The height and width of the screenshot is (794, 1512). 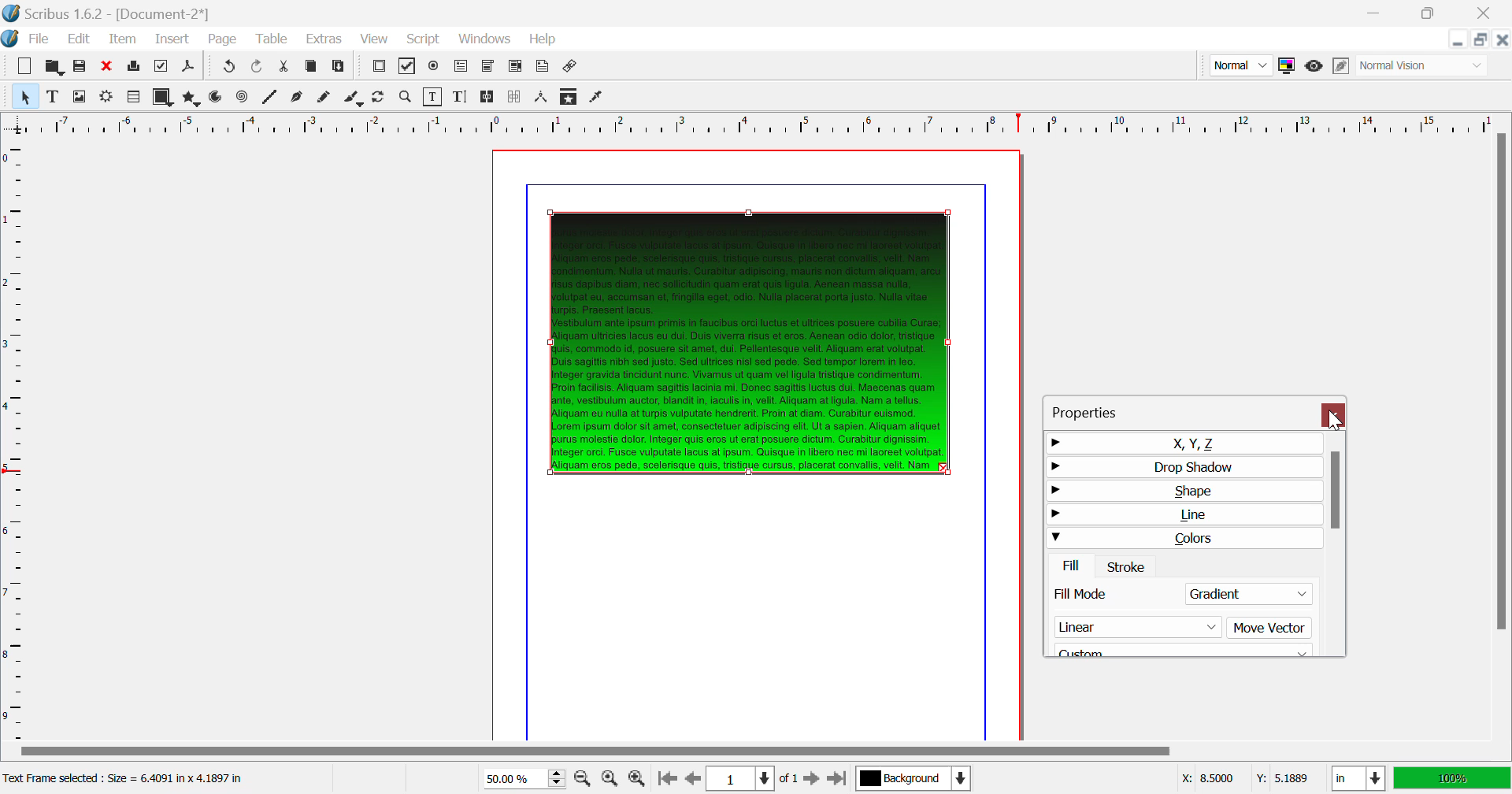 I want to click on Page, so click(x=221, y=40).